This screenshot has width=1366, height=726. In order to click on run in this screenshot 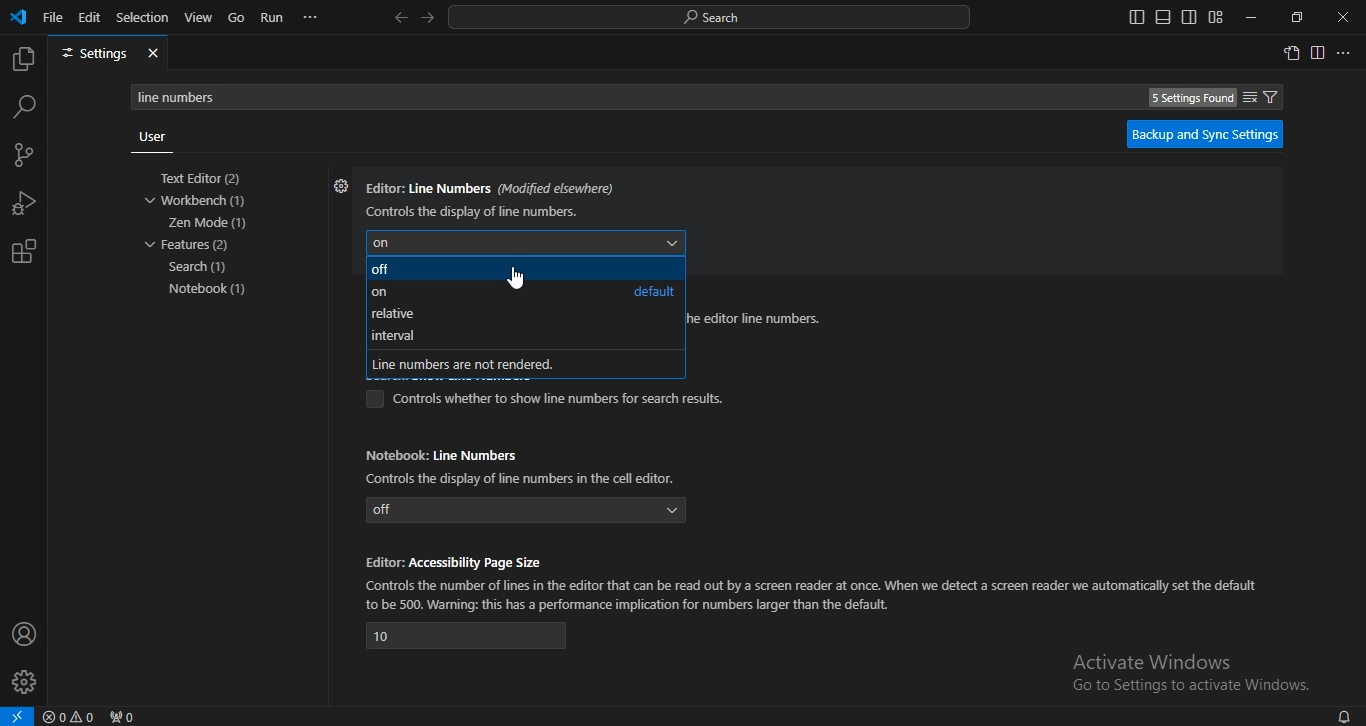, I will do `click(273, 18)`.